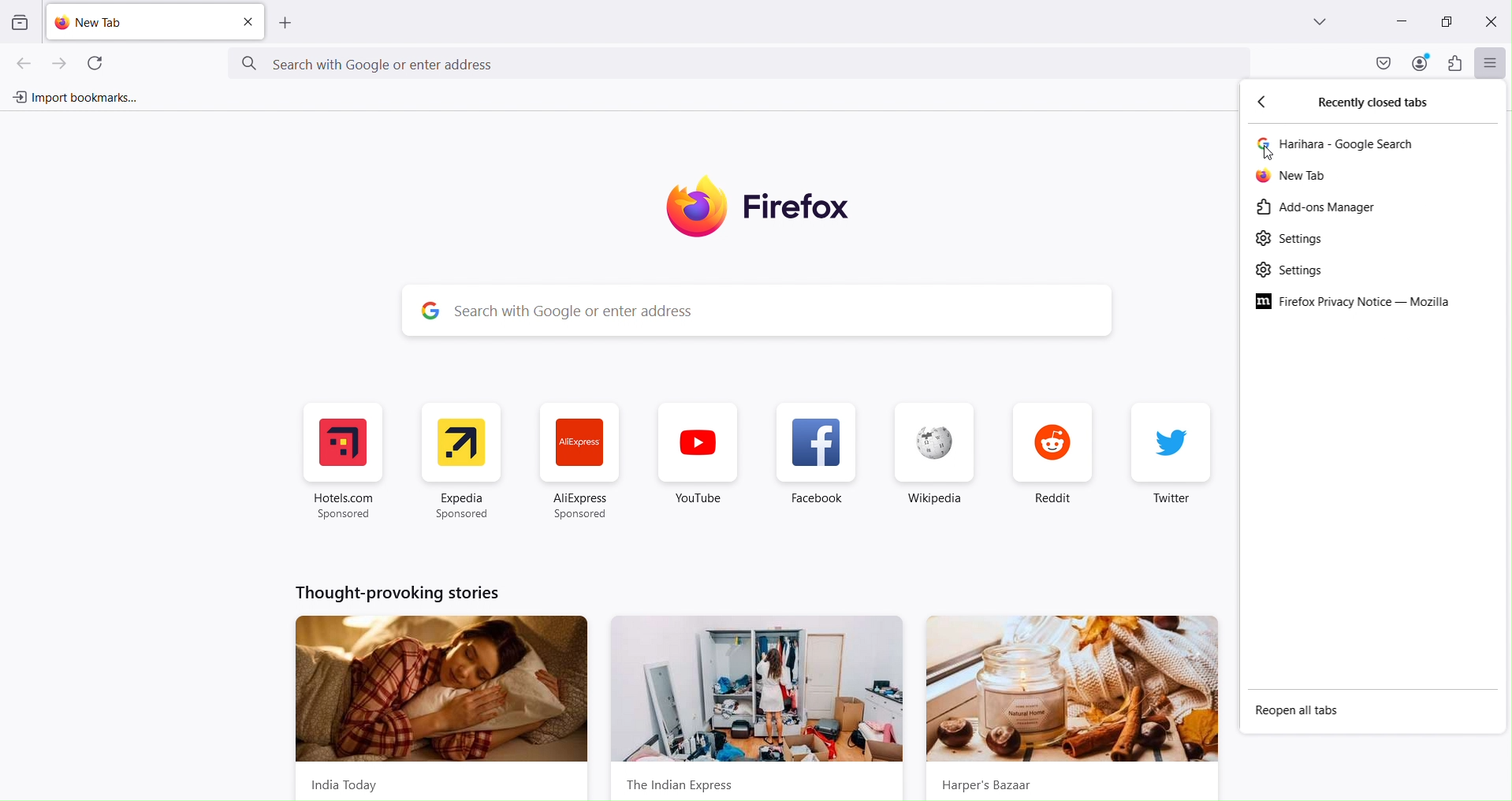 The height and width of the screenshot is (801, 1512). Describe the element at coordinates (1446, 20) in the screenshot. I see `Maximize` at that location.